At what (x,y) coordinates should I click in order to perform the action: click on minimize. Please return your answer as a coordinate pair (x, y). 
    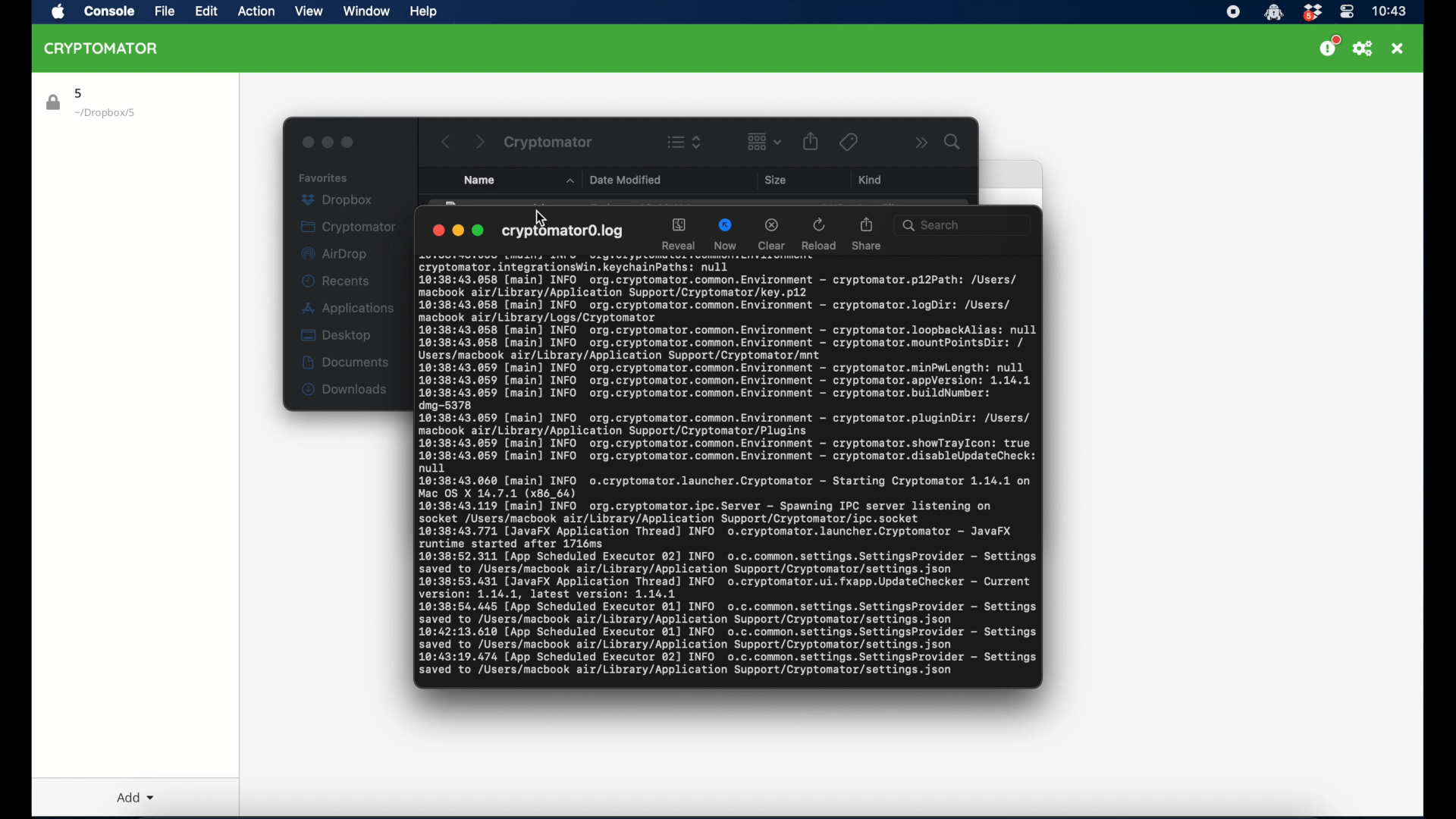
    Looking at the image, I should click on (457, 231).